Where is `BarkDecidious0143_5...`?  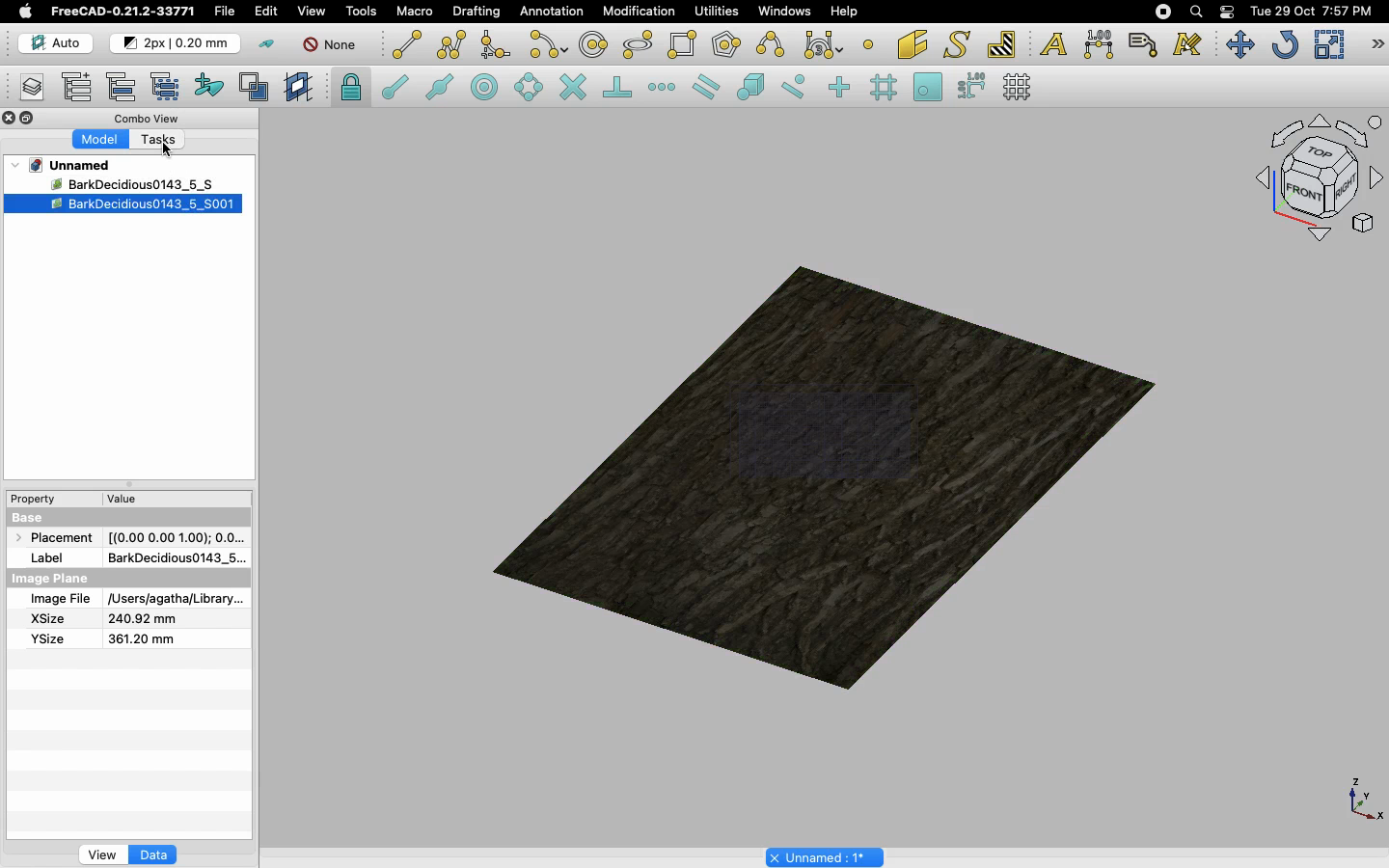
BarkDecidious0143_5... is located at coordinates (175, 557).